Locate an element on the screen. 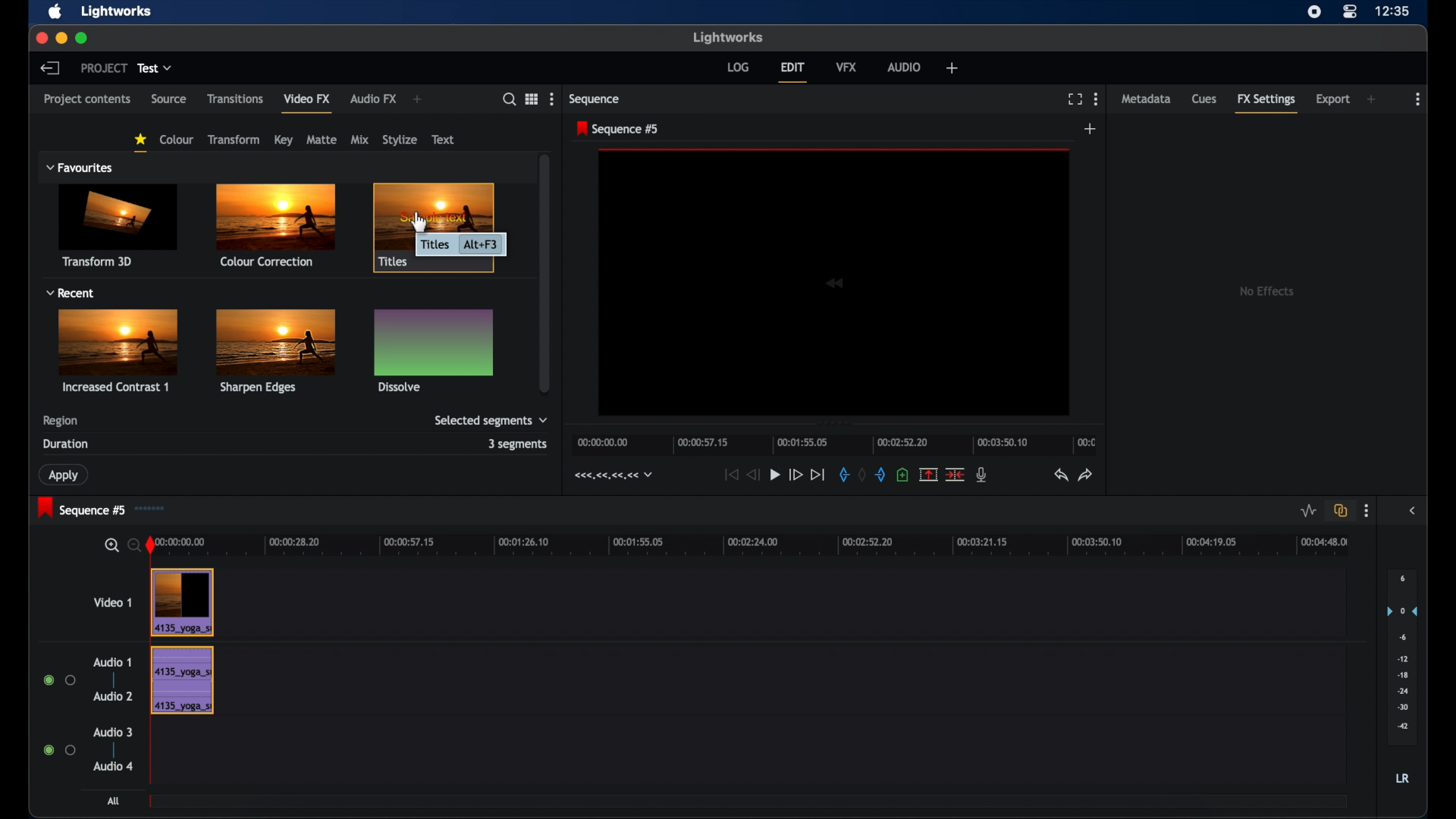 This screenshot has height=819, width=1456. screen recorder icon is located at coordinates (1314, 12).